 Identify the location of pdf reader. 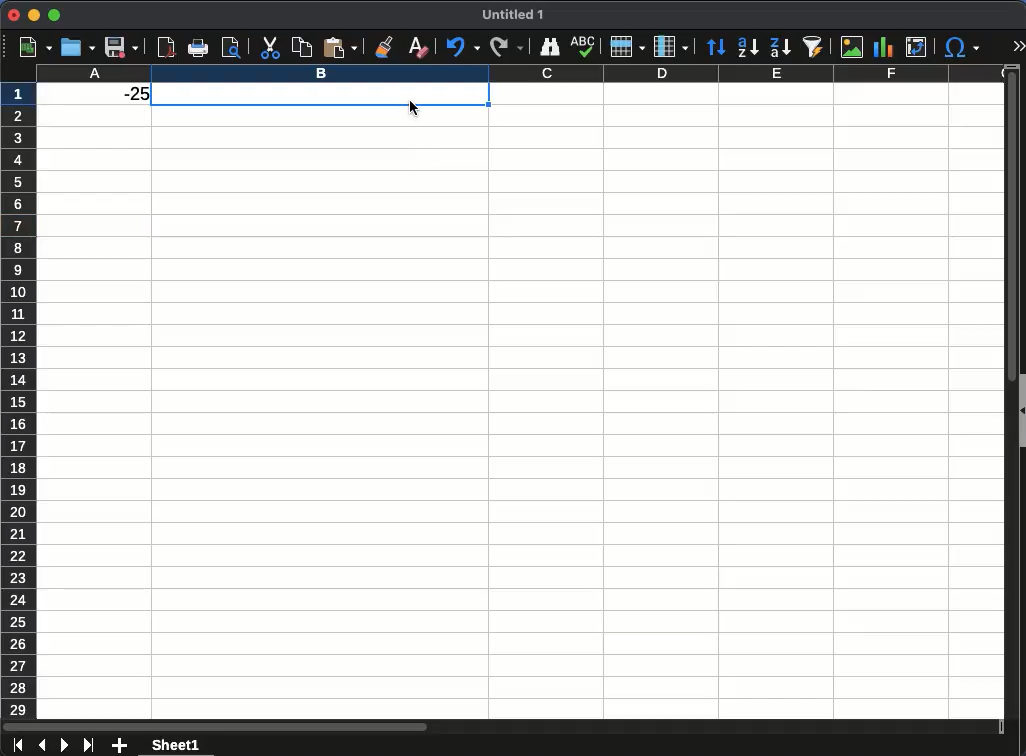
(168, 47).